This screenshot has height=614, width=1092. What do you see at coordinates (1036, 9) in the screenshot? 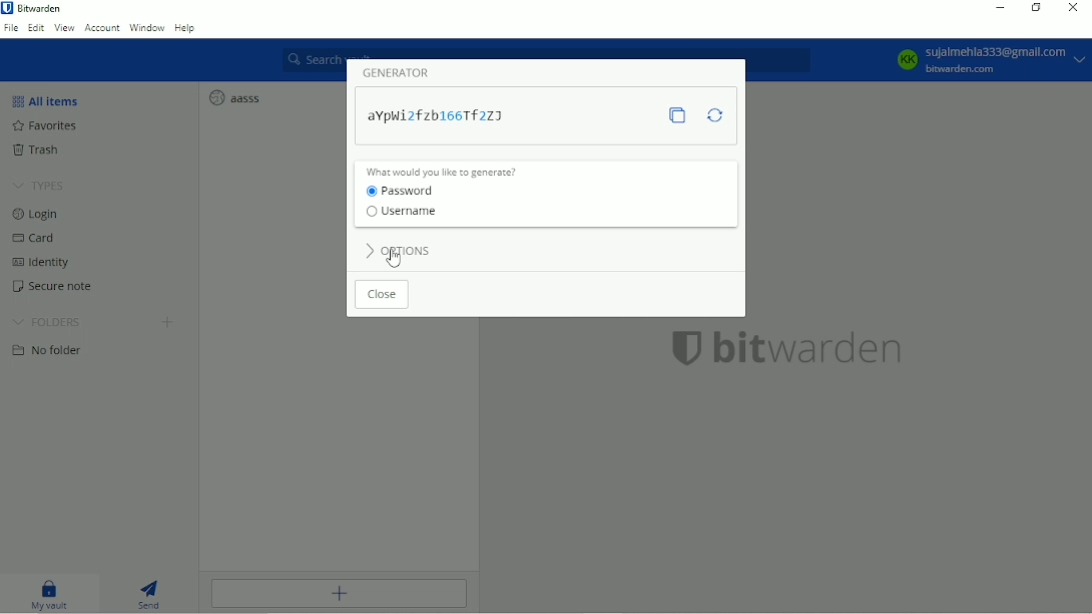
I see `Restore down` at bounding box center [1036, 9].